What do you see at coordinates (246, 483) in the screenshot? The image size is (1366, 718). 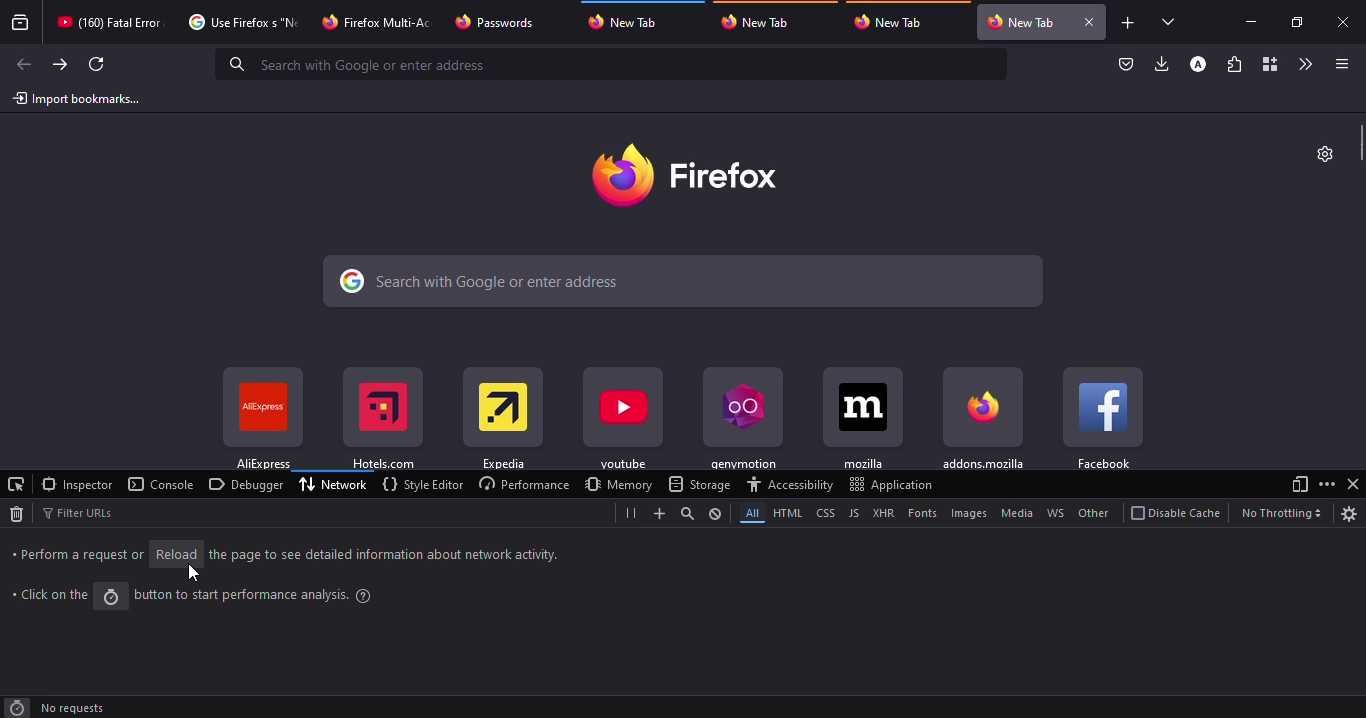 I see `debugger` at bounding box center [246, 483].